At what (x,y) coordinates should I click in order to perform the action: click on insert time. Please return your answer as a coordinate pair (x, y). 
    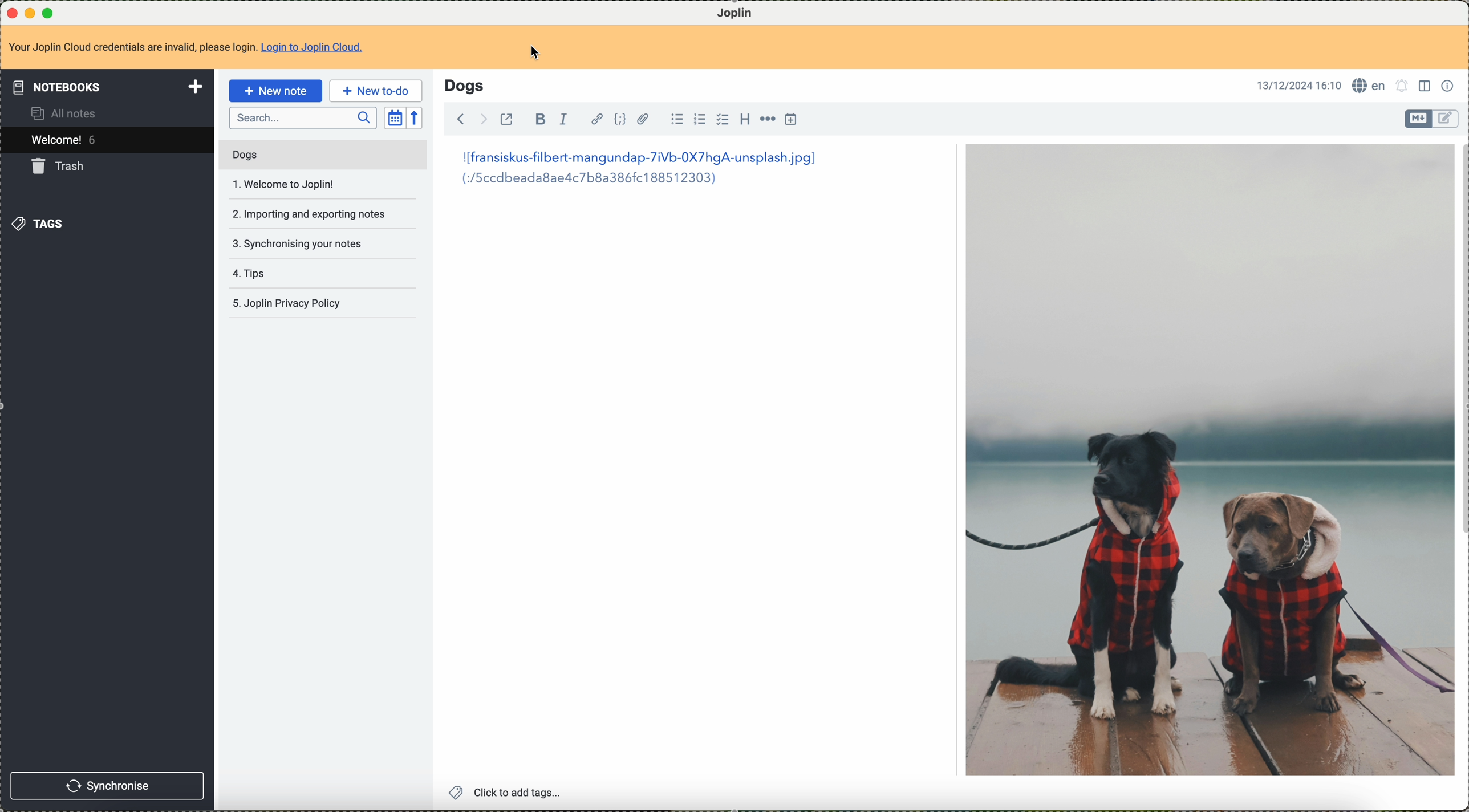
    Looking at the image, I should click on (792, 120).